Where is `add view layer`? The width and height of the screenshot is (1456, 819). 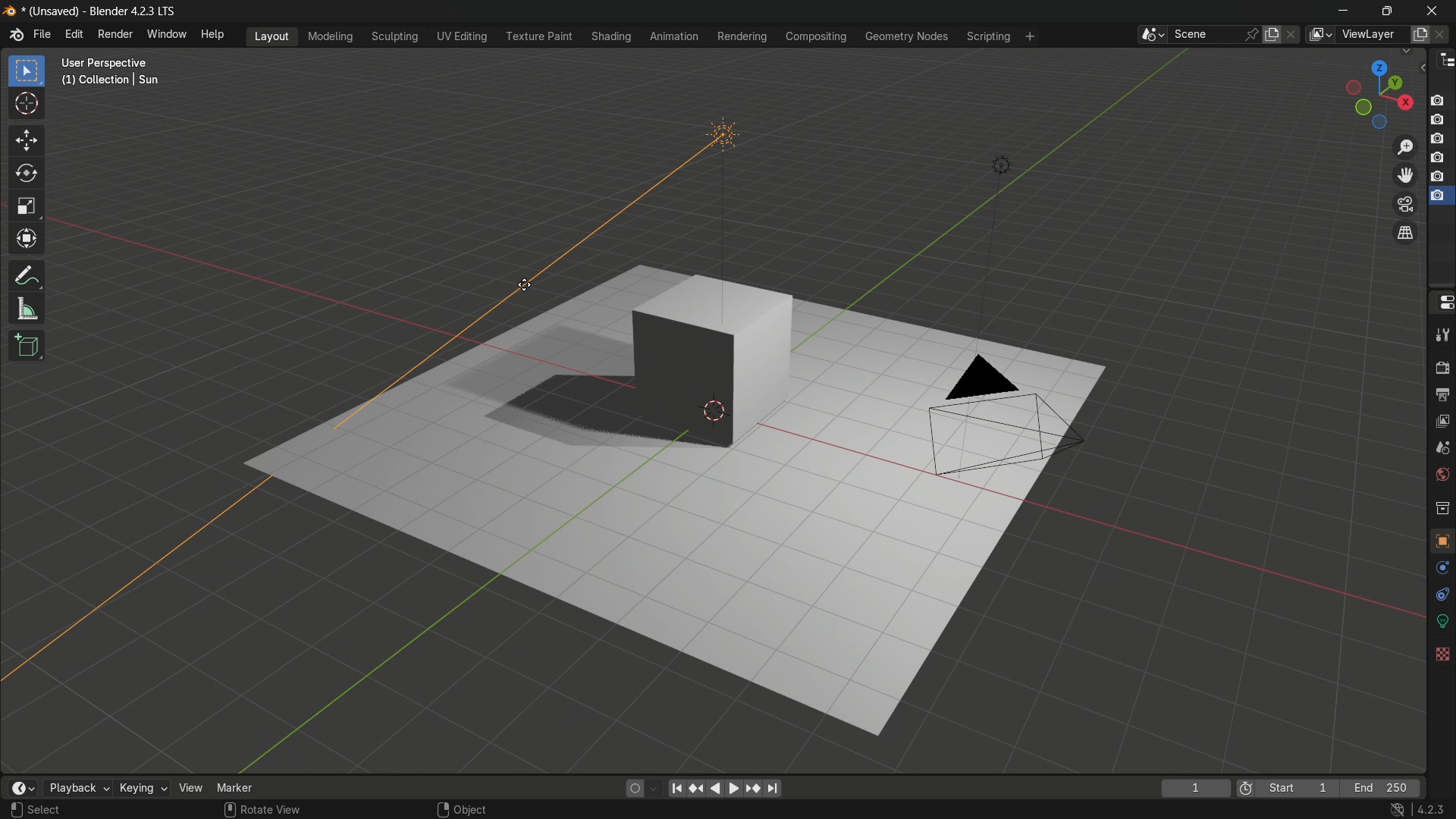 add view layer is located at coordinates (1420, 33).